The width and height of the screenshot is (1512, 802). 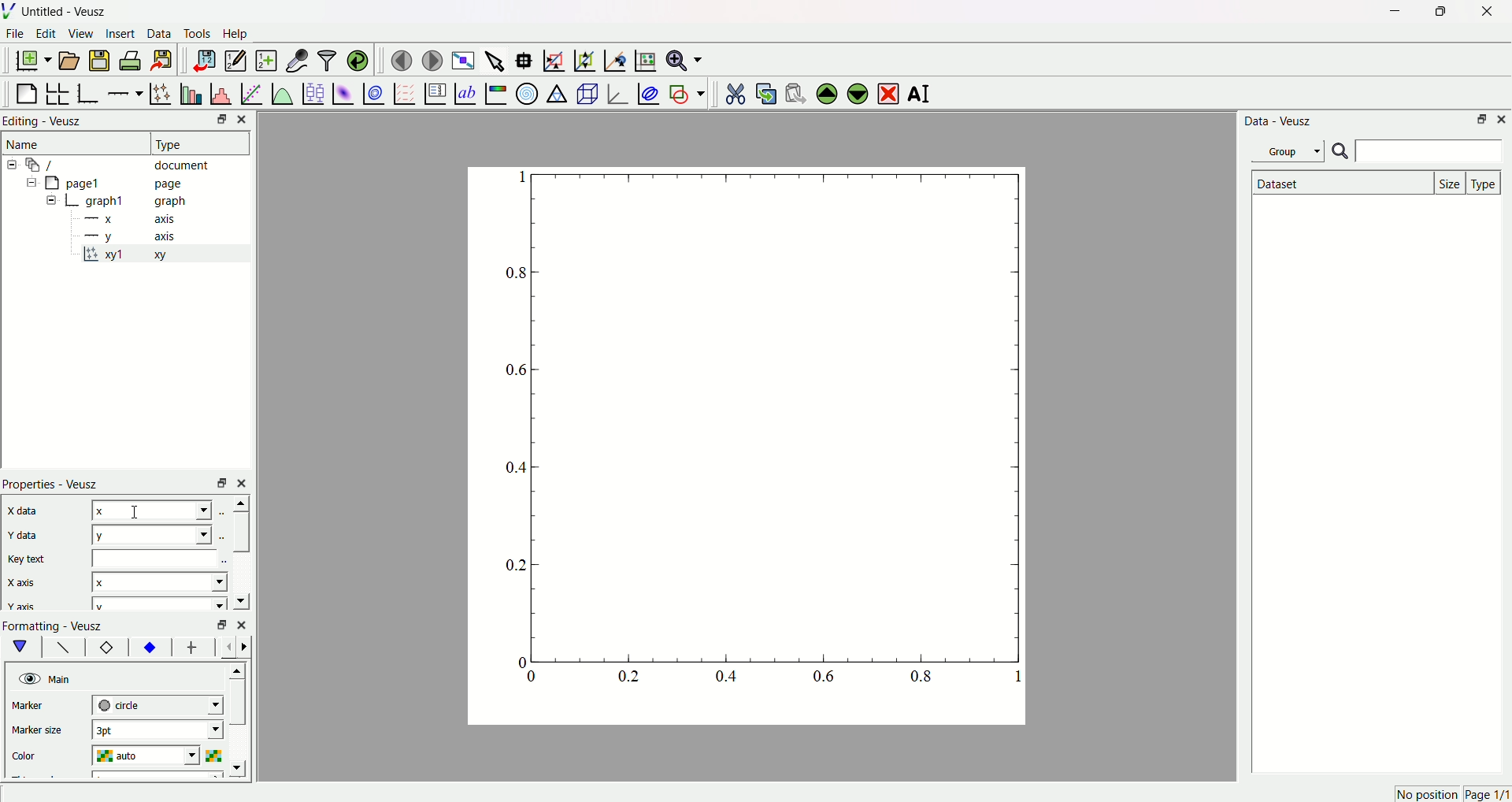 What do you see at coordinates (149, 647) in the screenshot?
I see `border fill` at bounding box center [149, 647].